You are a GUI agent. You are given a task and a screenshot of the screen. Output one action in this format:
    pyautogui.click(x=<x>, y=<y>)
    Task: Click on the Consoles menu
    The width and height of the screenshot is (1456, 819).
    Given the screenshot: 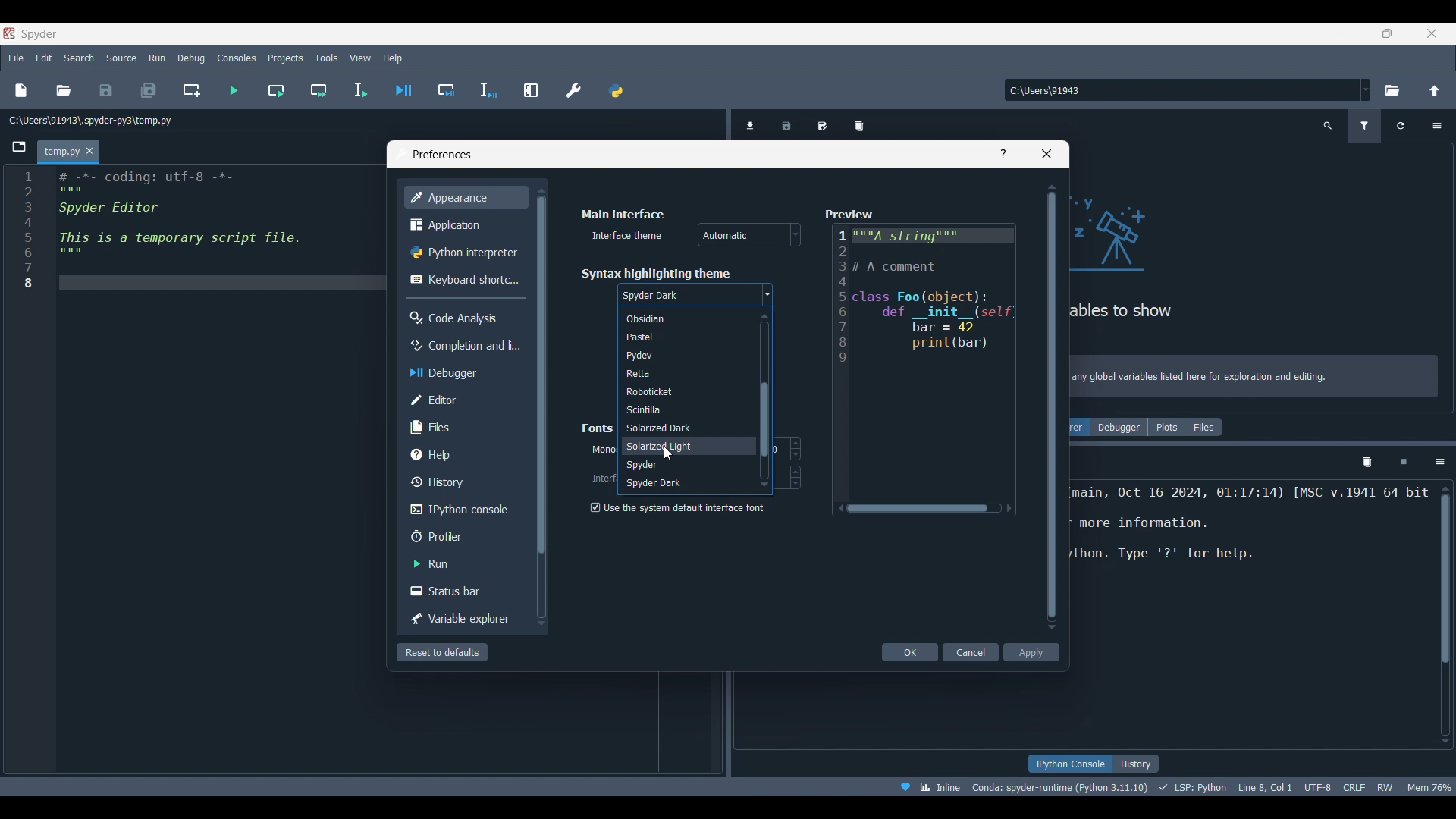 What is the action you would take?
    pyautogui.click(x=236, y=58)
    